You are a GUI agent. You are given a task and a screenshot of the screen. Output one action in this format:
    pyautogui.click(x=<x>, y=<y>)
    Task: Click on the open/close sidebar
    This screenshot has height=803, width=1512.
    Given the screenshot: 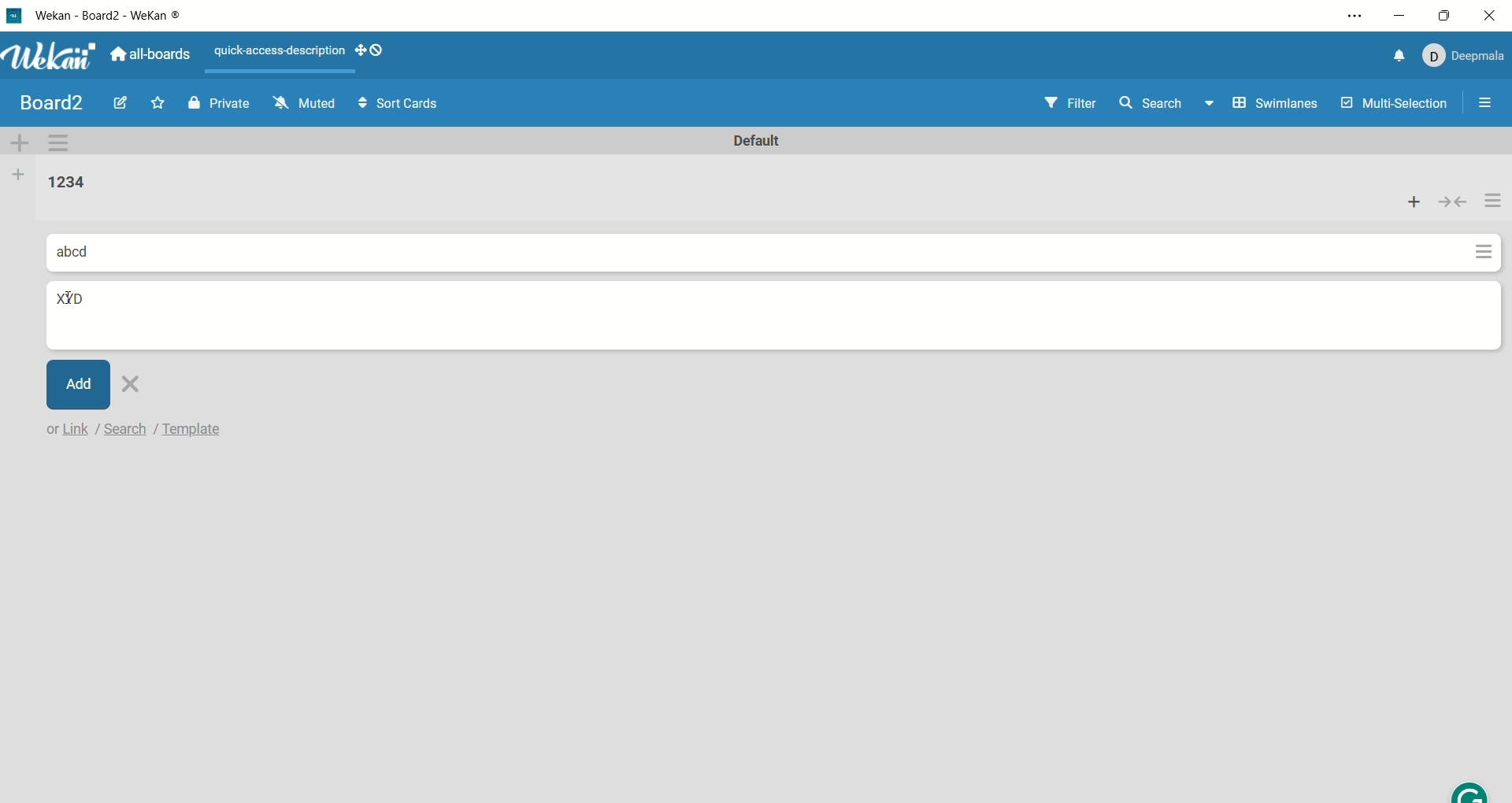 What is the action you would take?
    pyautogui.click(x=1488, y=107)
    